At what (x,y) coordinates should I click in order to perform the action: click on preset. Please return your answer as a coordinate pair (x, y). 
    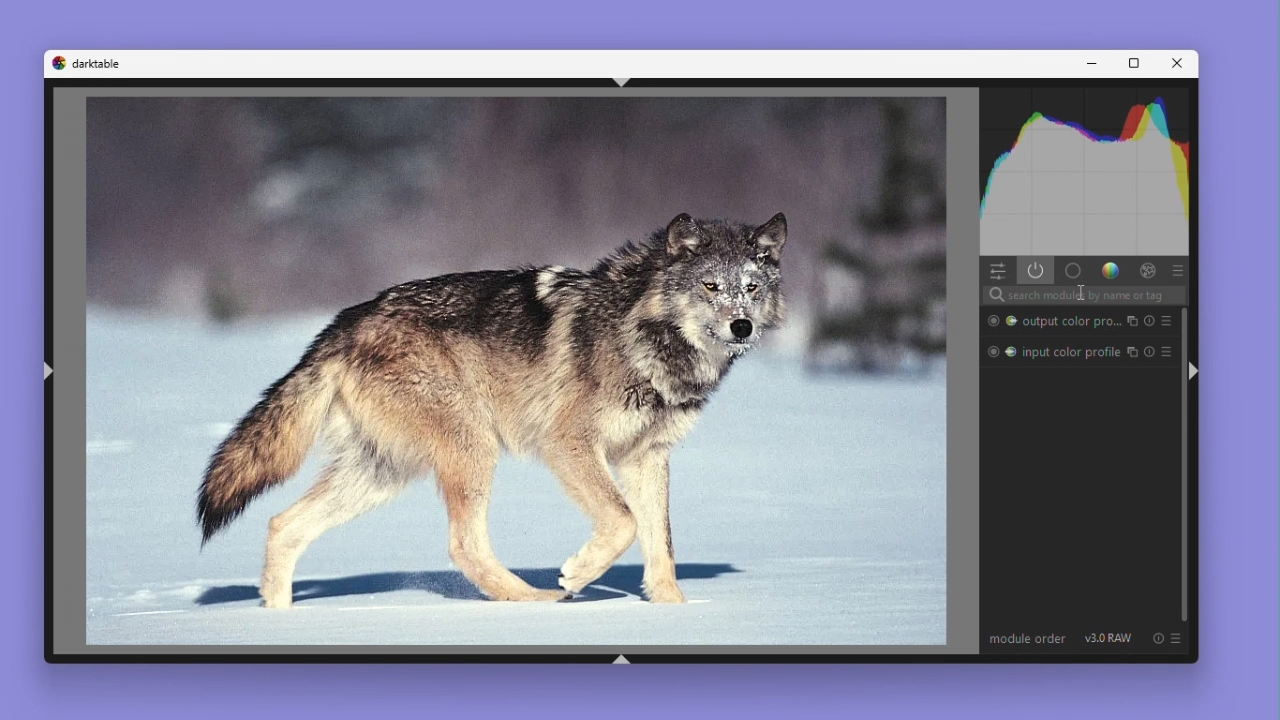
    Looking at the image, I should click on (1165, 352).